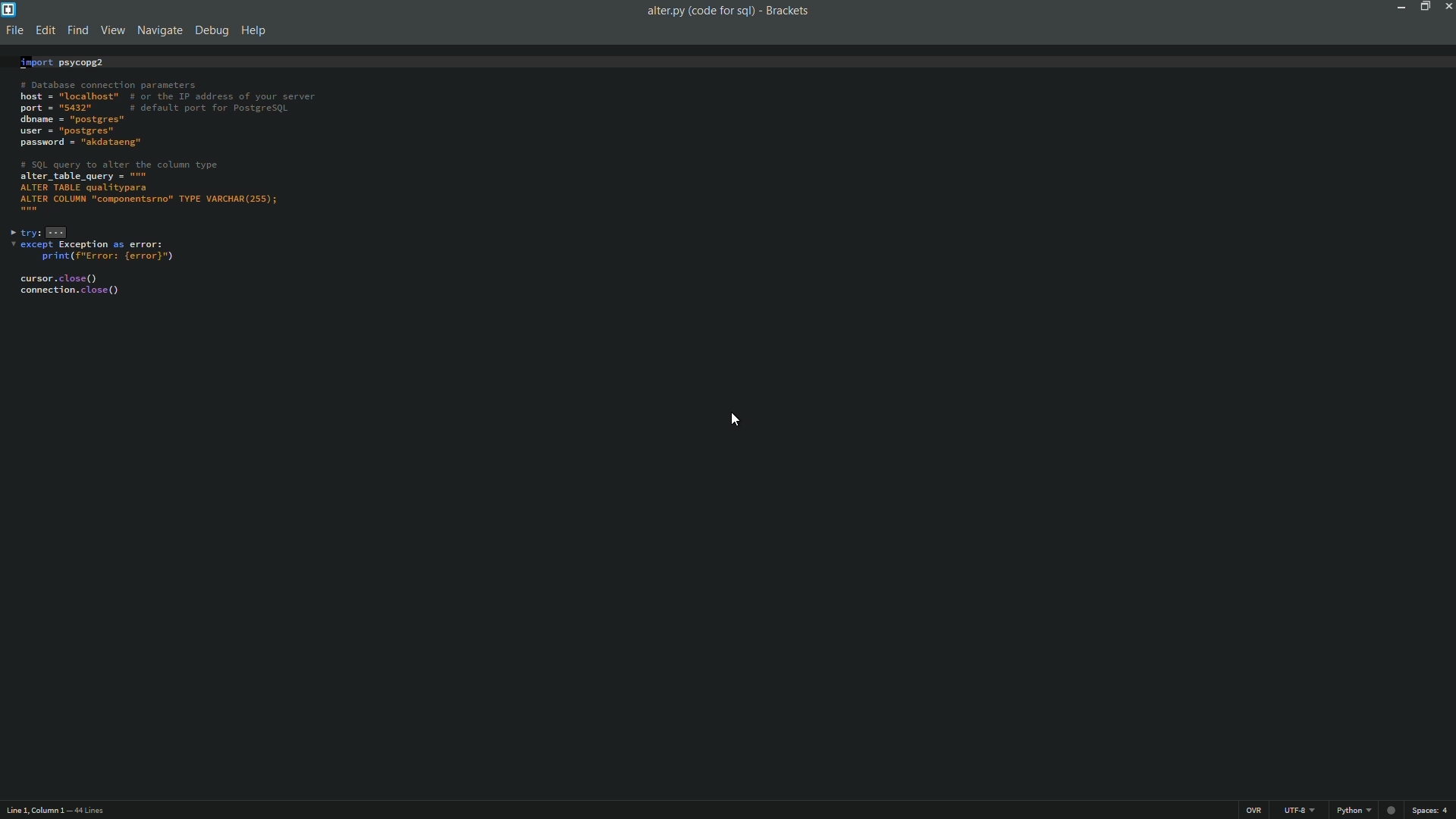 The width and height of the screenshot is (1456, 819). Describe the element at coordinates (1254, 810) in the screenshot. I see `ins` at that location.